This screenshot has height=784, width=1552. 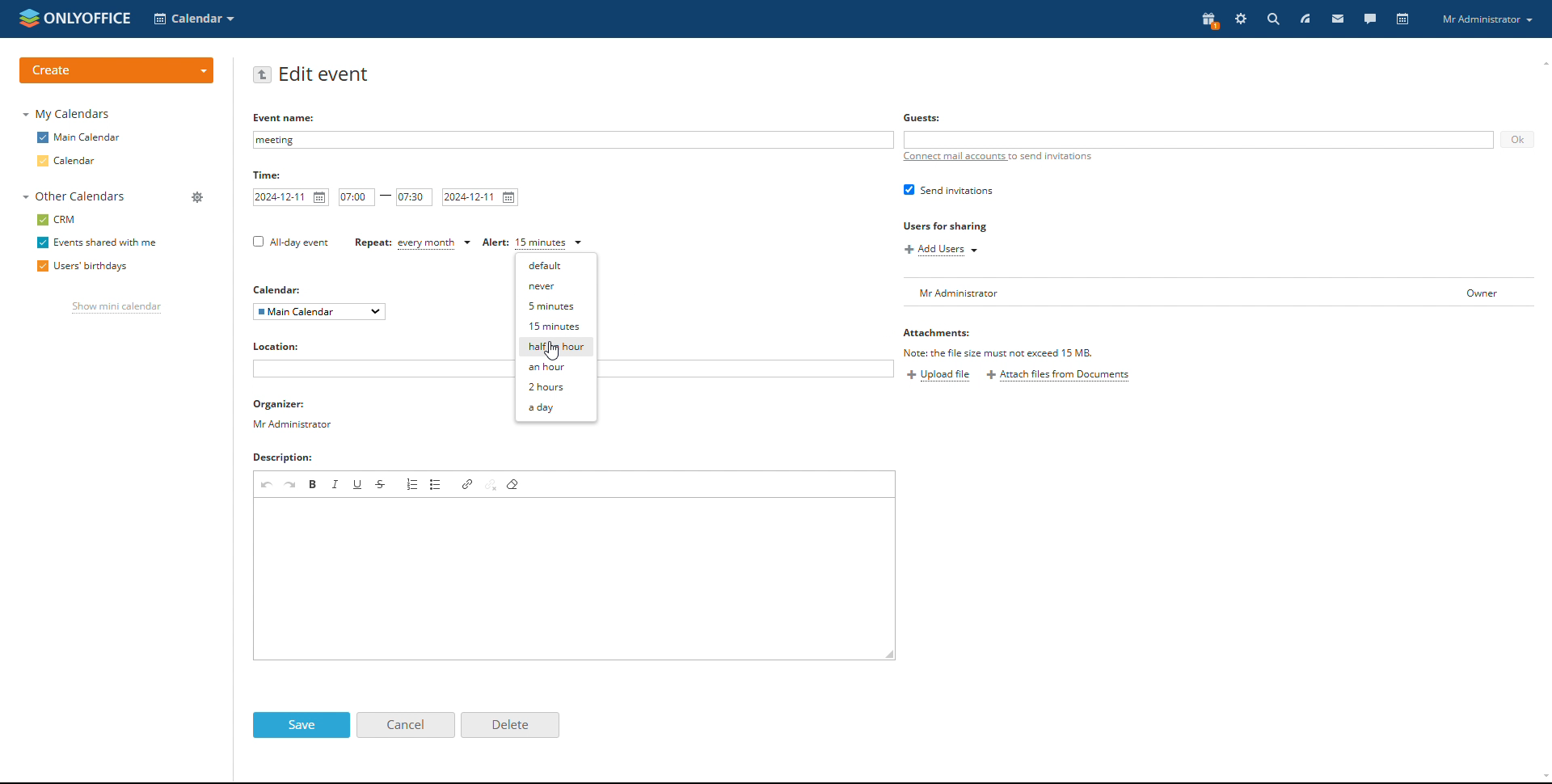 What do you see at coordinates (1240, 19) in the screenshot?
I see `settings` at bounding box center [1240, 19].